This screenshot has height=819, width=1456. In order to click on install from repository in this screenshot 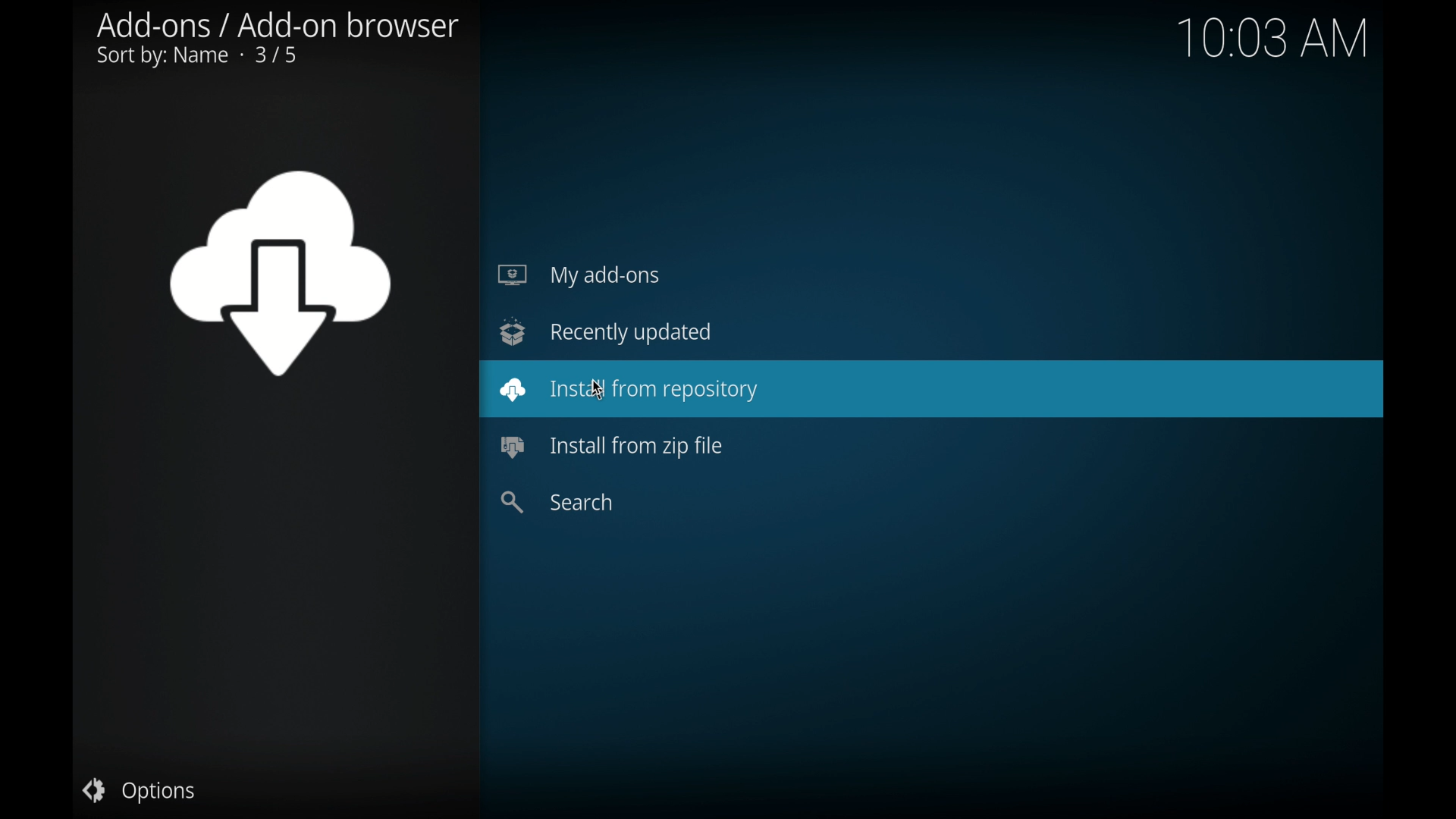, I will do `click(931, 390)`.